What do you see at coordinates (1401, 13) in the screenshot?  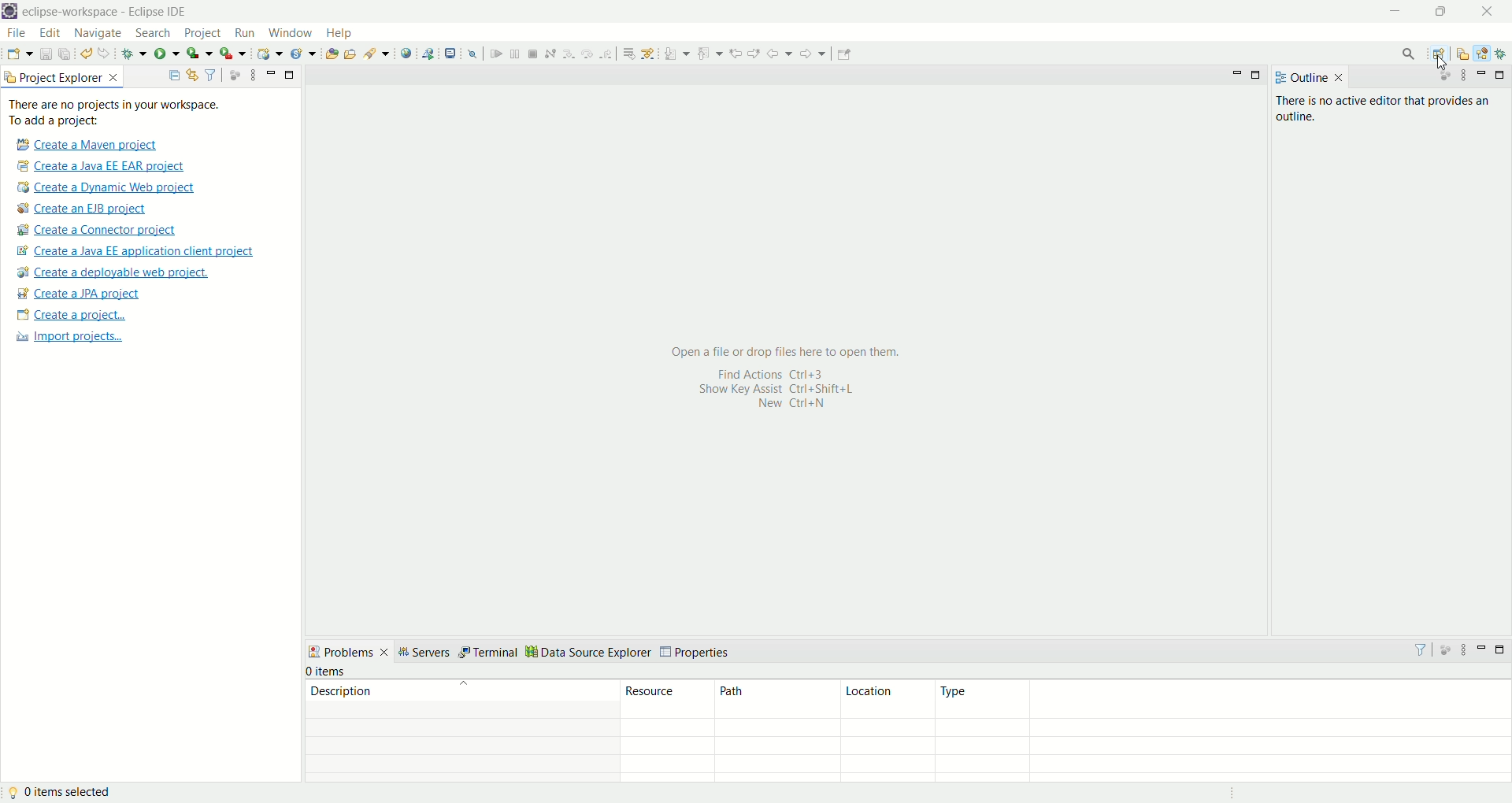 I see `minimize` at bounding box center [1401, 13].